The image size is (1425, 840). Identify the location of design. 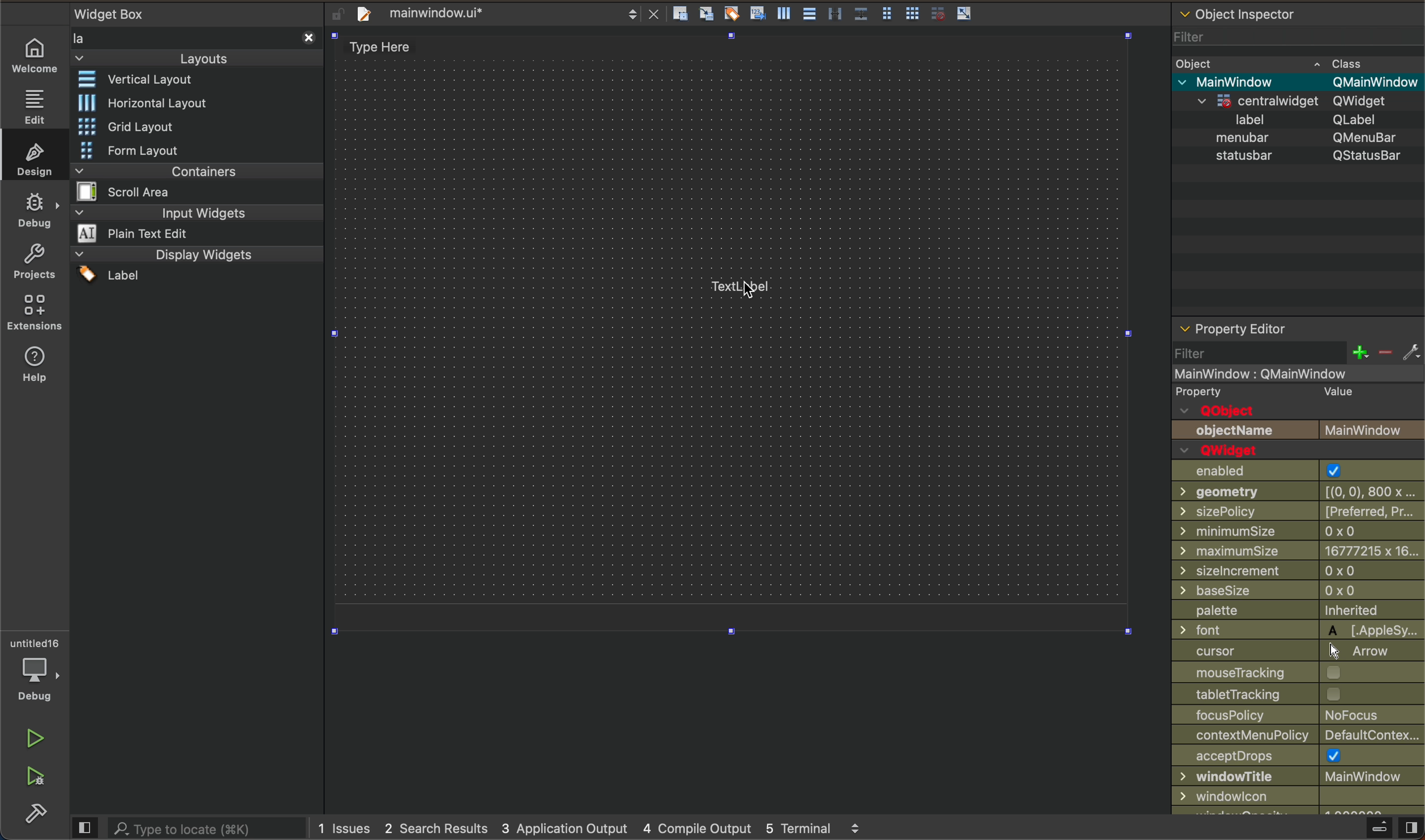
(38, 158).